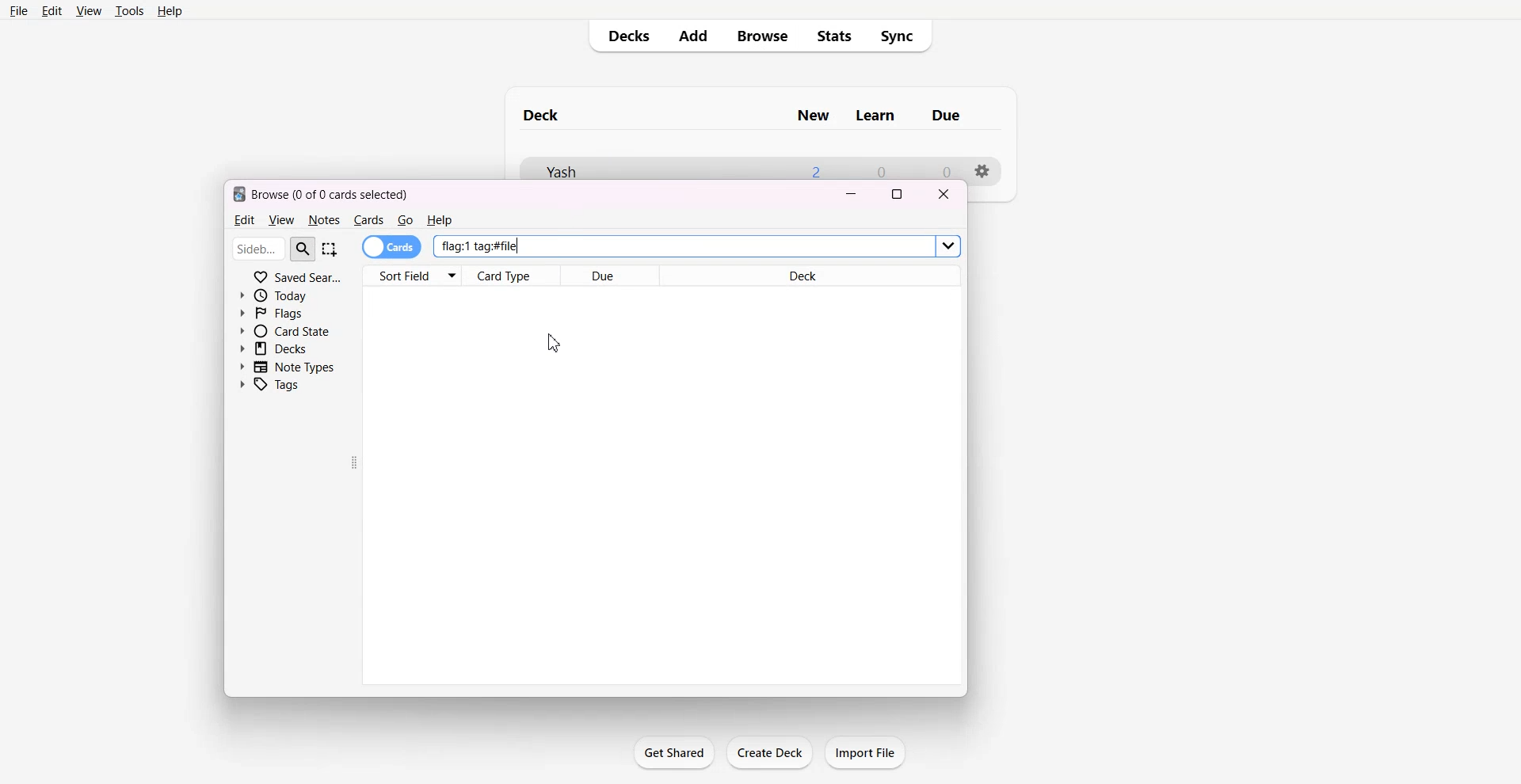 Image resolution: width=1521 pixels, height=784 pixels. I want to click on Help, so click(440, 221).